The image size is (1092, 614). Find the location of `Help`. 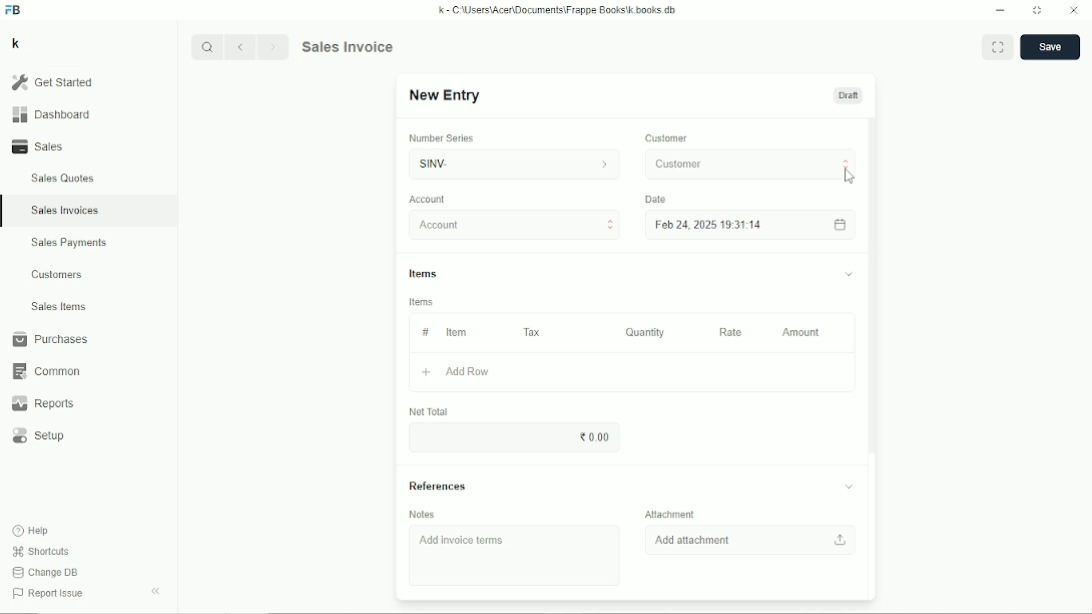

Help is located at coordinates (32, 530).